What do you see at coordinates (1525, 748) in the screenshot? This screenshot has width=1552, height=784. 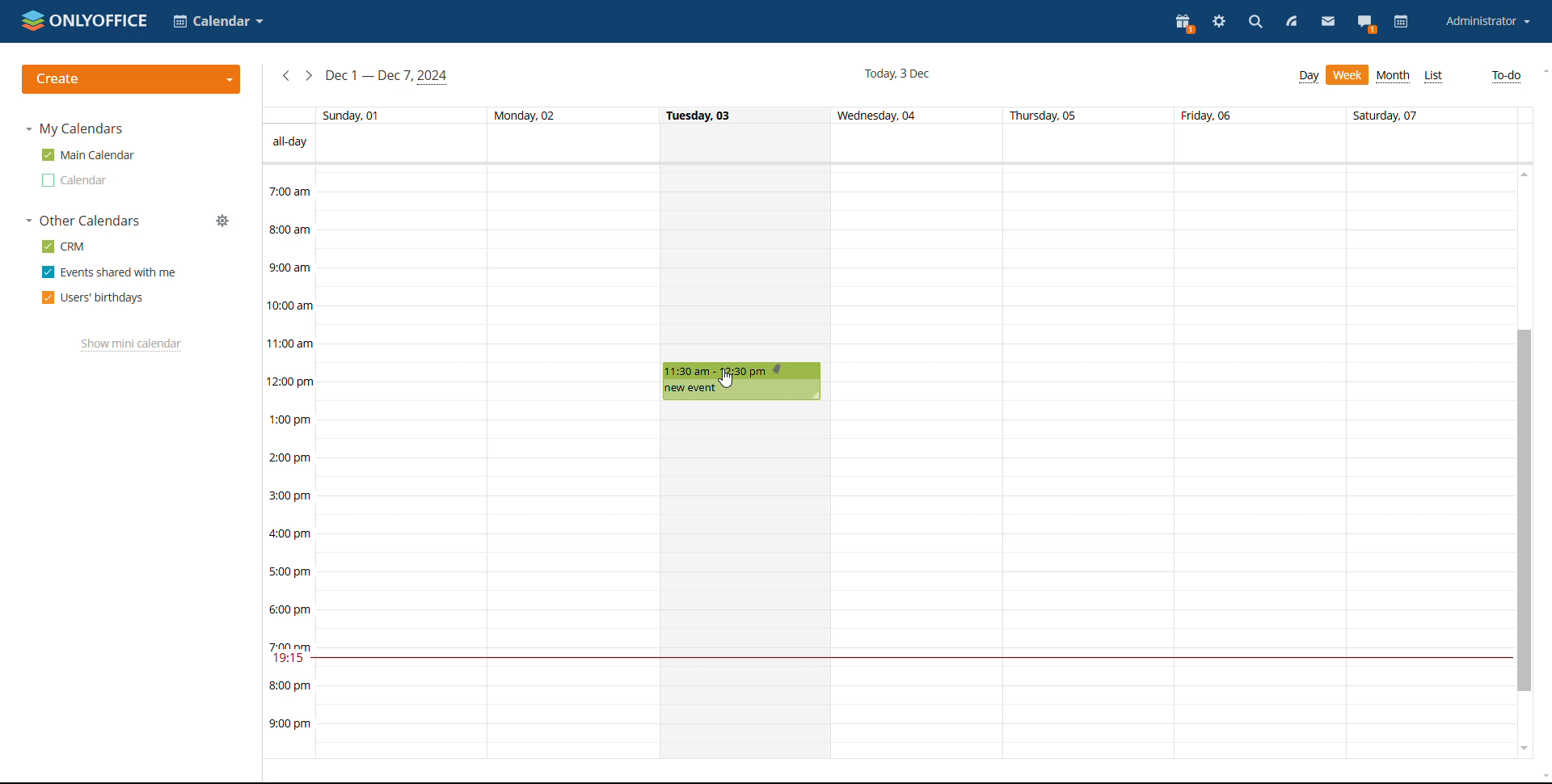 I see `scroll down` at bounding box center [1525, 748].